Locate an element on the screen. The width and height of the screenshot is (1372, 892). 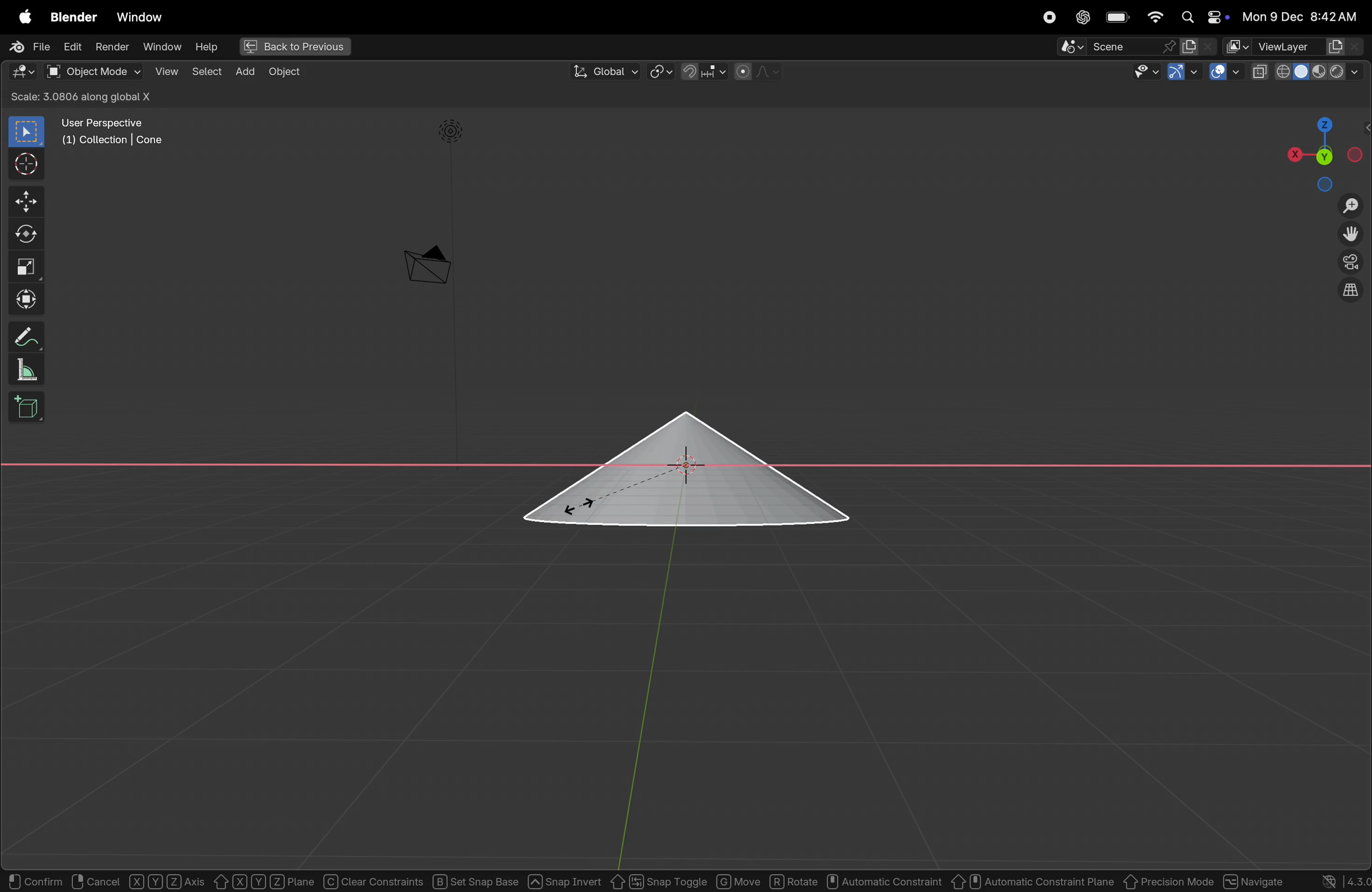
options is located at coordinates (1336, 96).